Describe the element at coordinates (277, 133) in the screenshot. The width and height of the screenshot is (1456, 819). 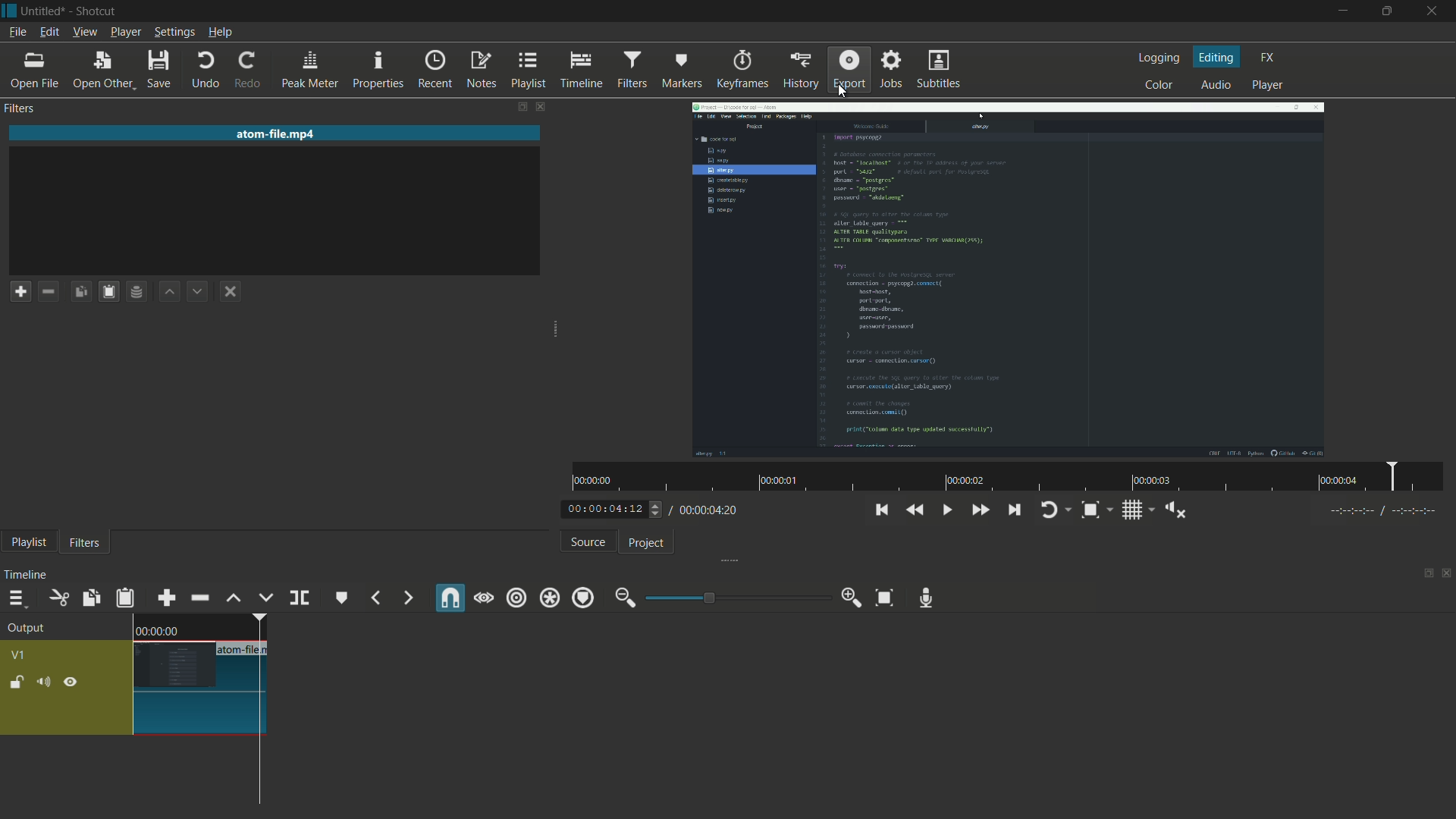
I see `imported file name` at that location.